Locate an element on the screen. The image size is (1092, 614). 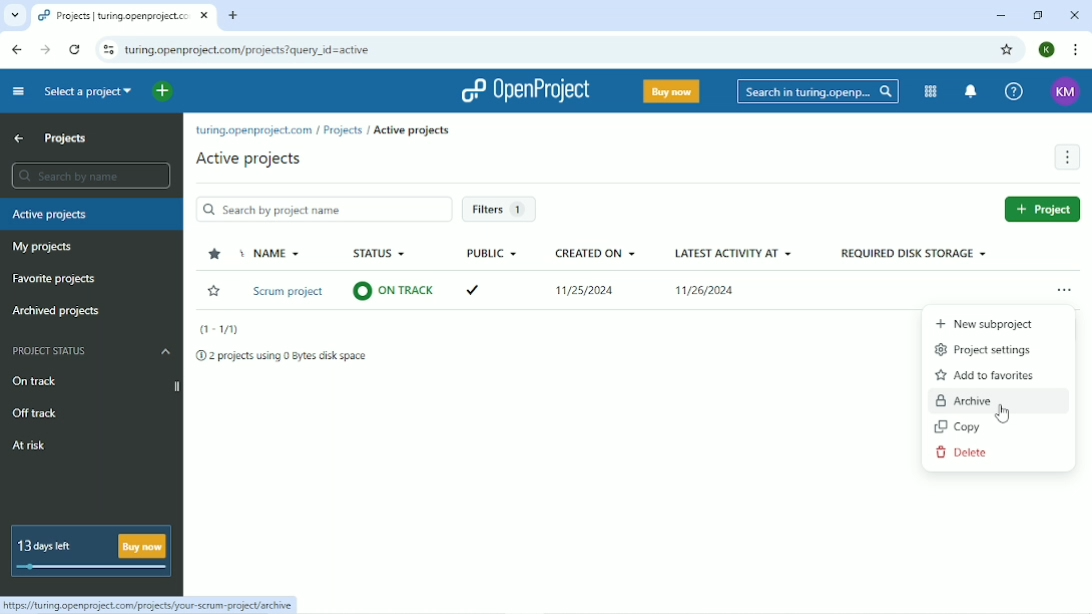
On track is located at coordinates (95, 383).